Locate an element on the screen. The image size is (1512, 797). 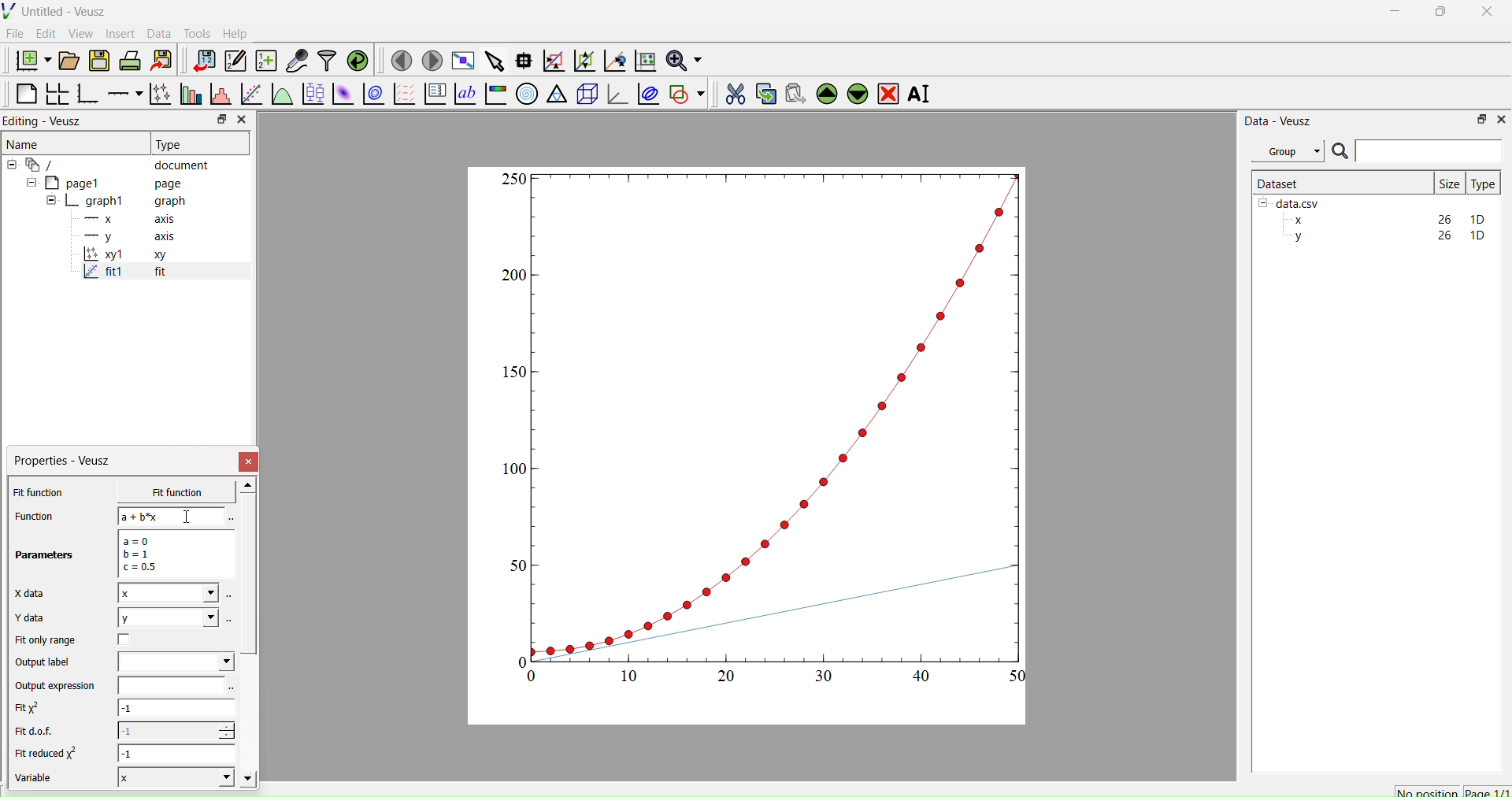
Previous page is located at coordinates (402, 61).